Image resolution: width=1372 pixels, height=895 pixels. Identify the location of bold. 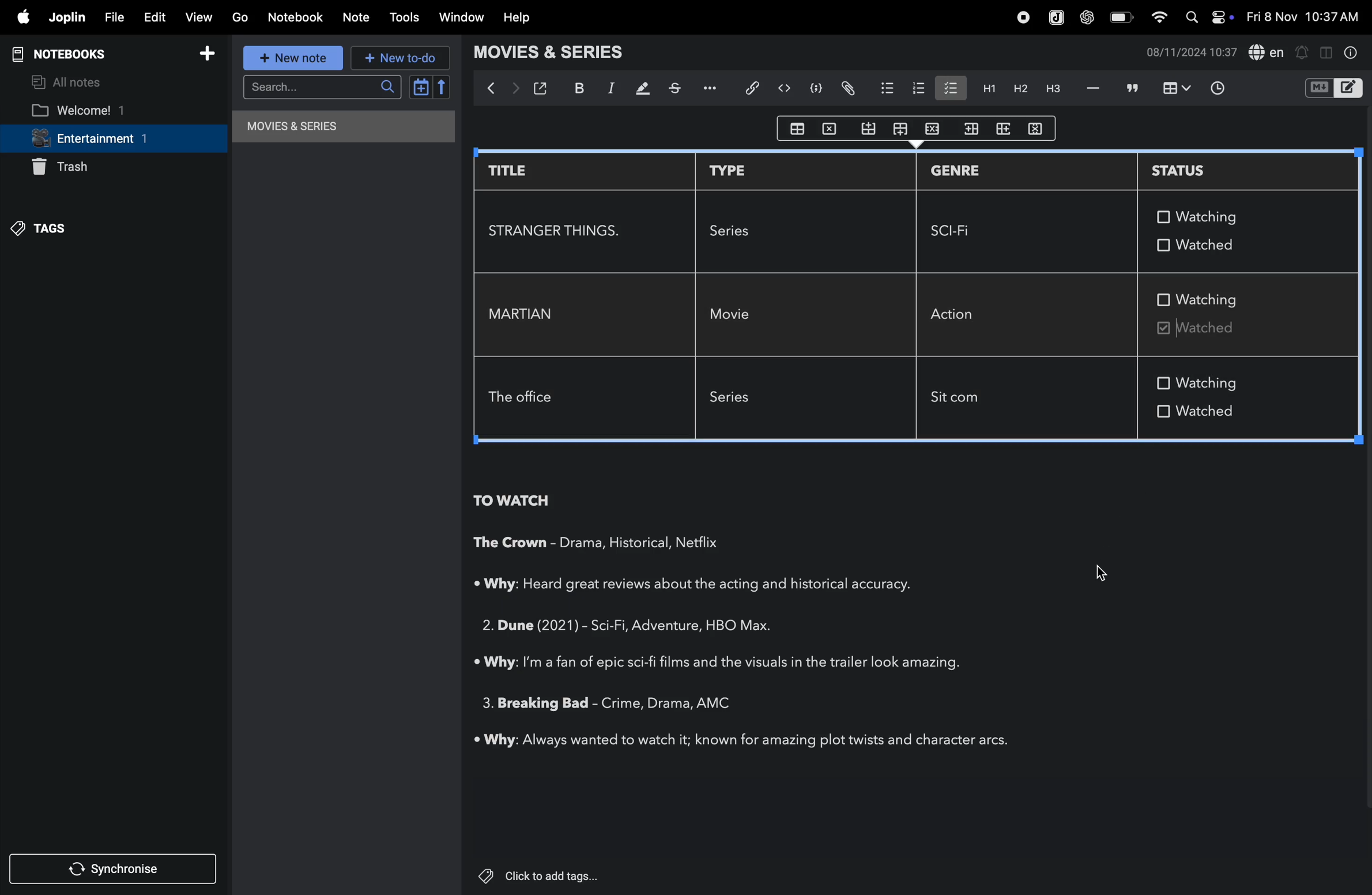
(579, 88).